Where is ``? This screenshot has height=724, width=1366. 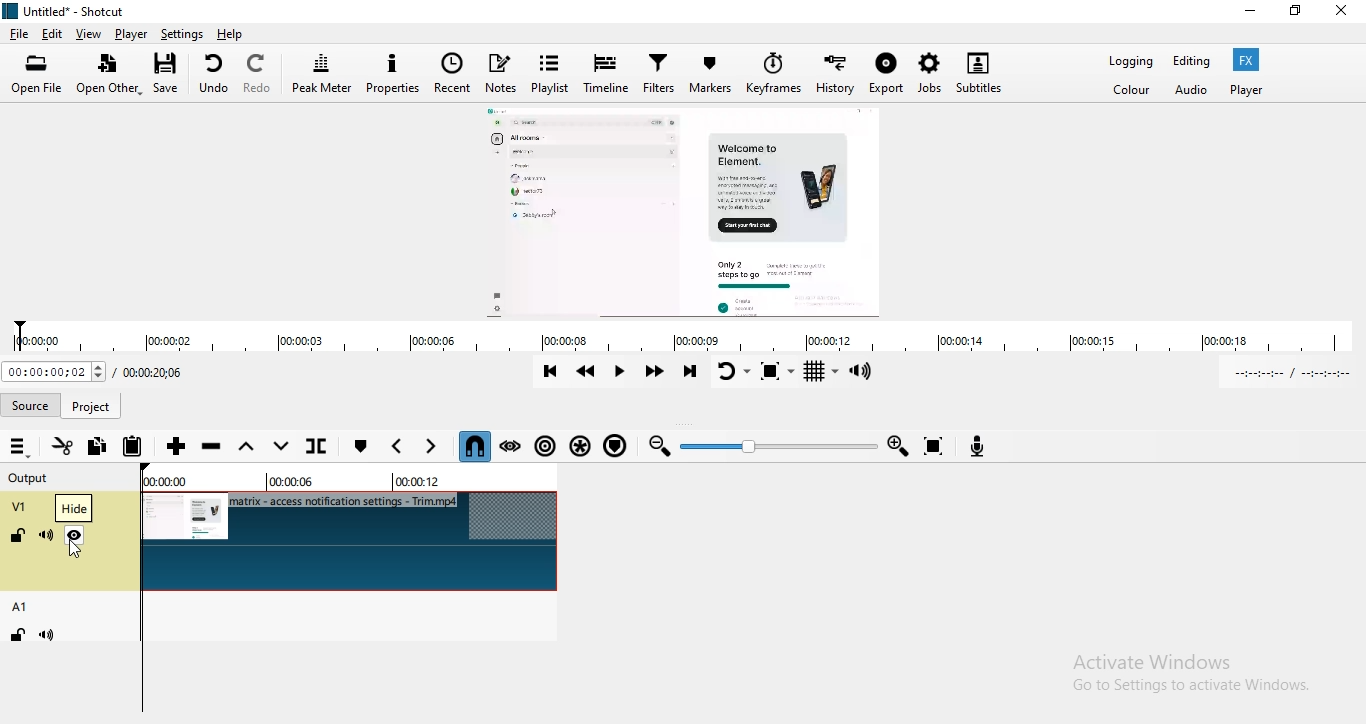  is located at coordinates (605, 74).